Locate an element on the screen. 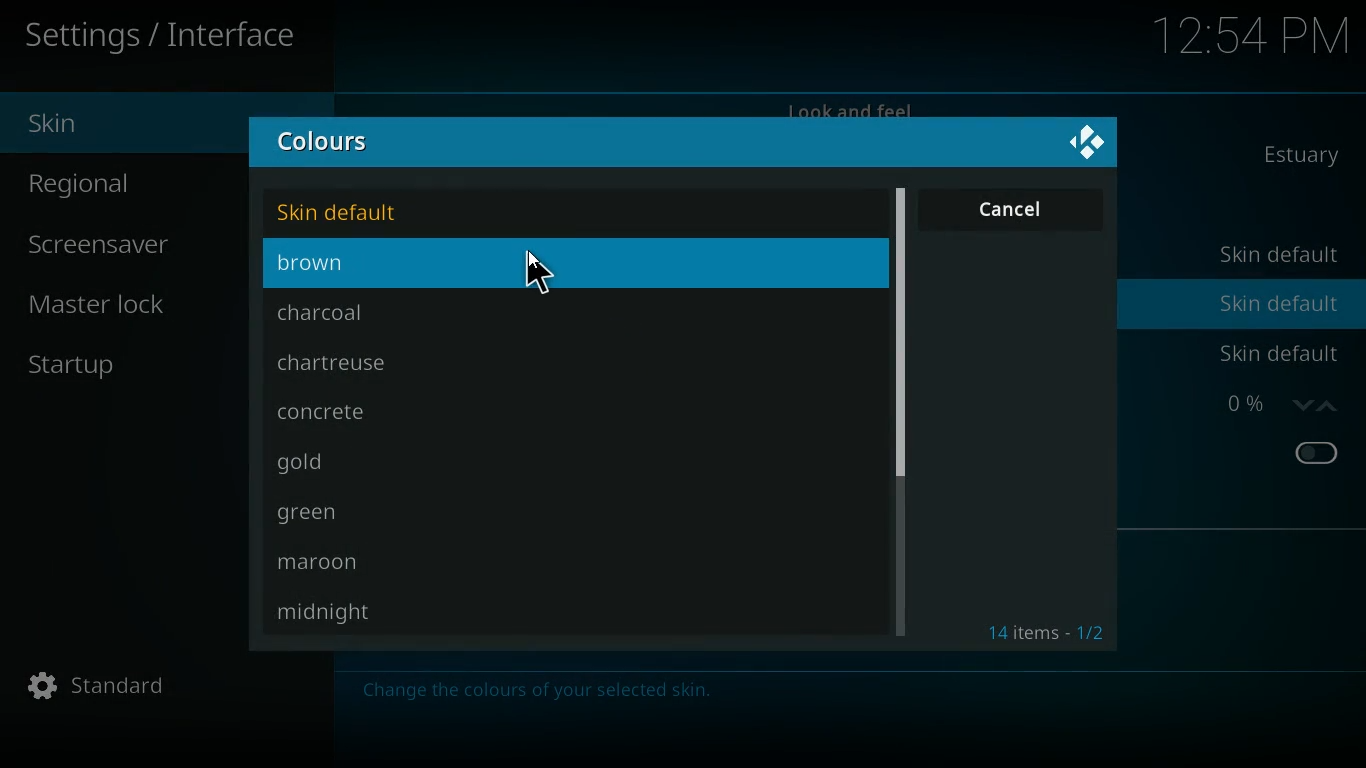  look and feel is located at coordinates (855, 106).